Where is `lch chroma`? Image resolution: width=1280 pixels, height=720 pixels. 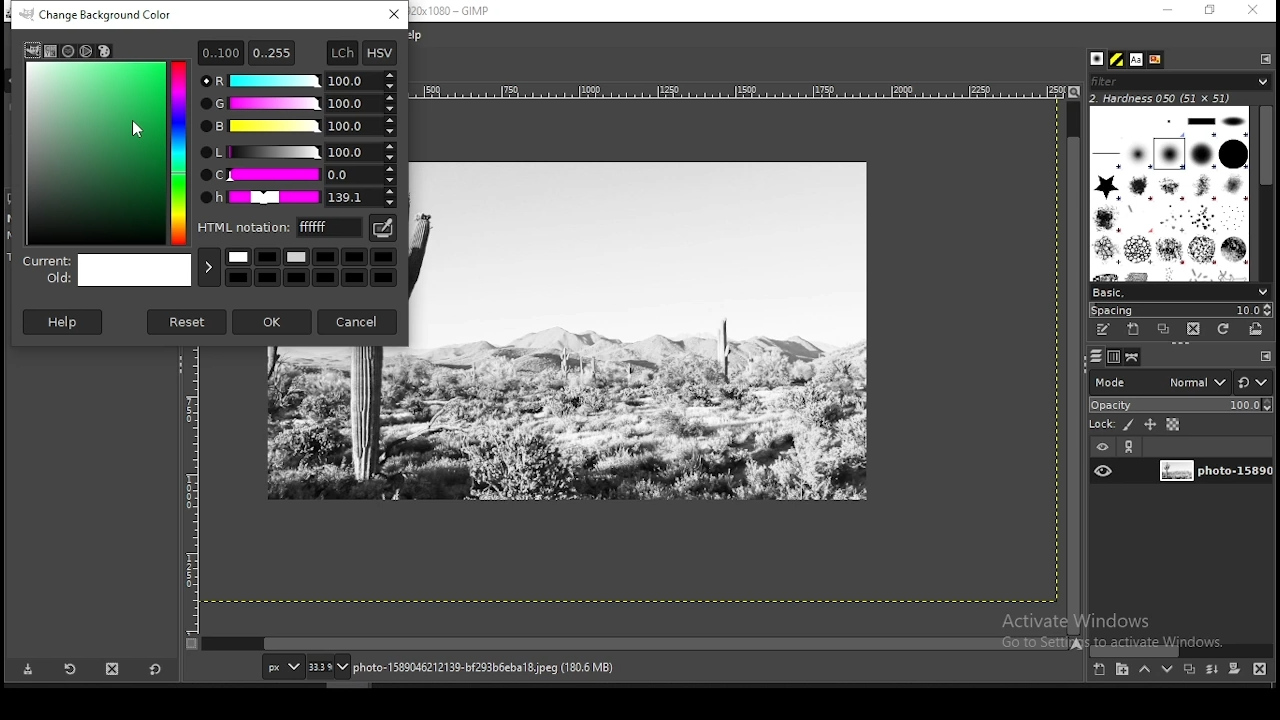 lch chroma is located at coordinates (298, 175).